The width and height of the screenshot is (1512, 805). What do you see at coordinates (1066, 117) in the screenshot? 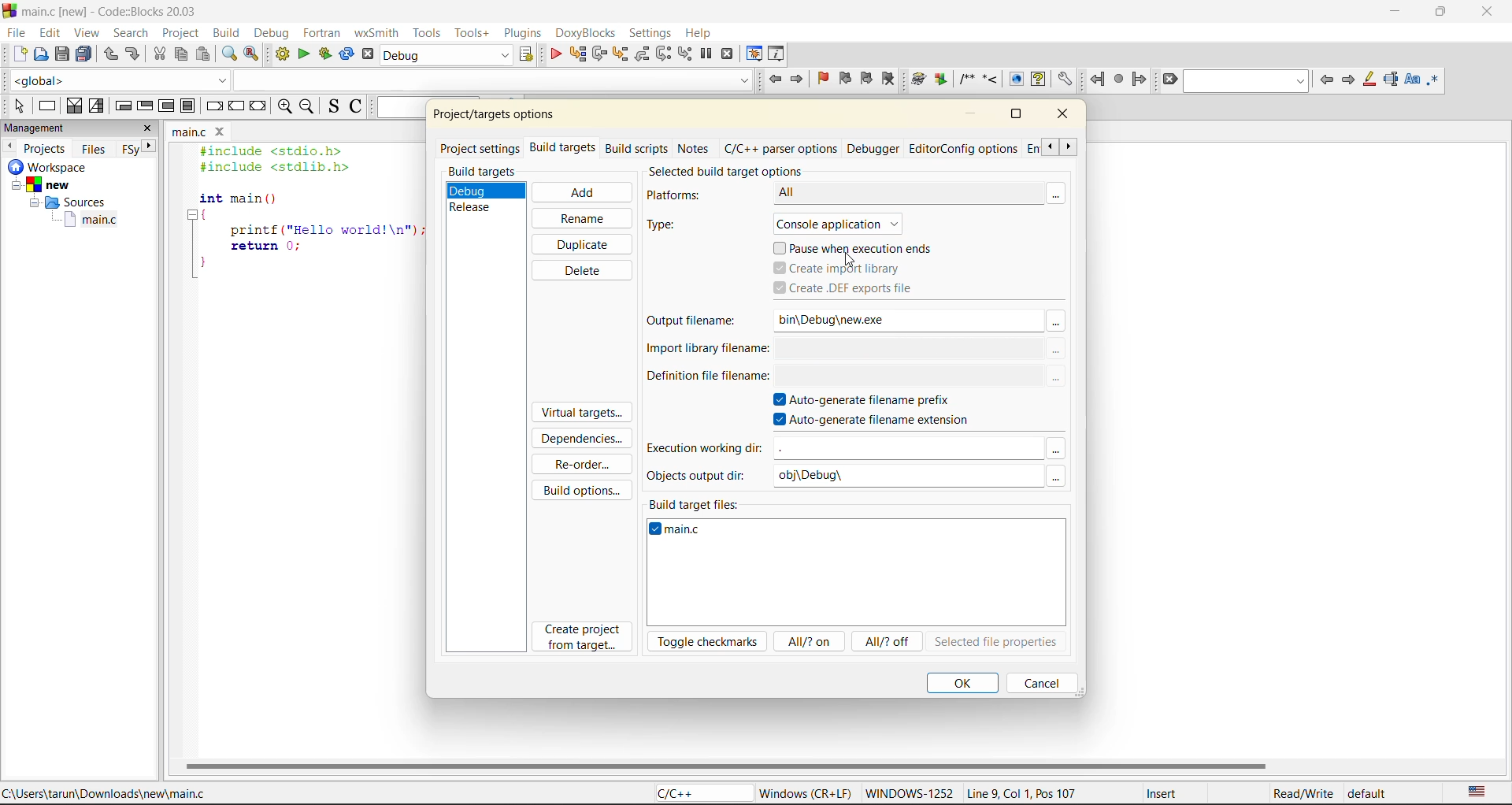
I see `close` at bounding box center [1066, 117].